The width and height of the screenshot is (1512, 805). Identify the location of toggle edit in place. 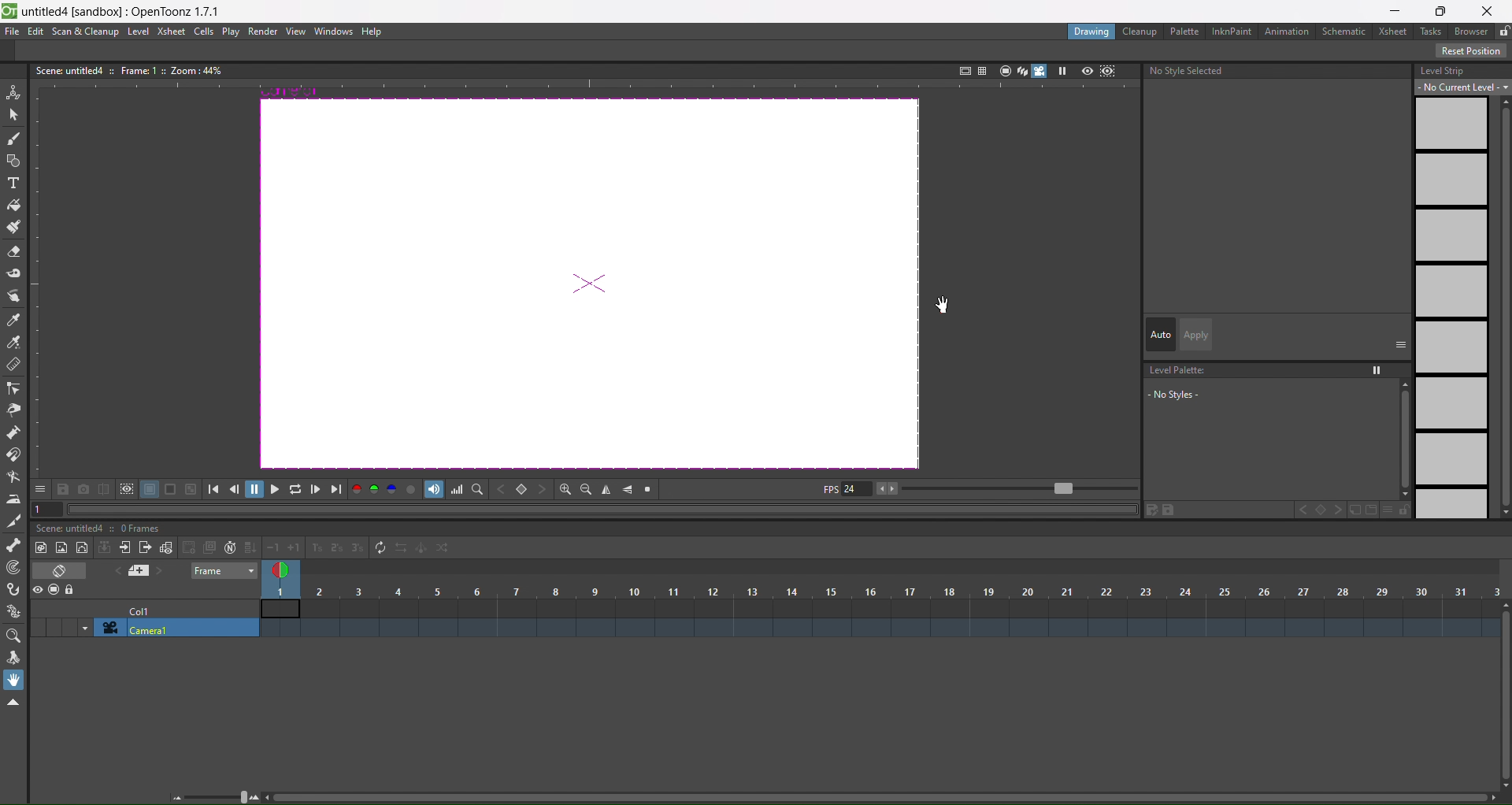
(165, 547).